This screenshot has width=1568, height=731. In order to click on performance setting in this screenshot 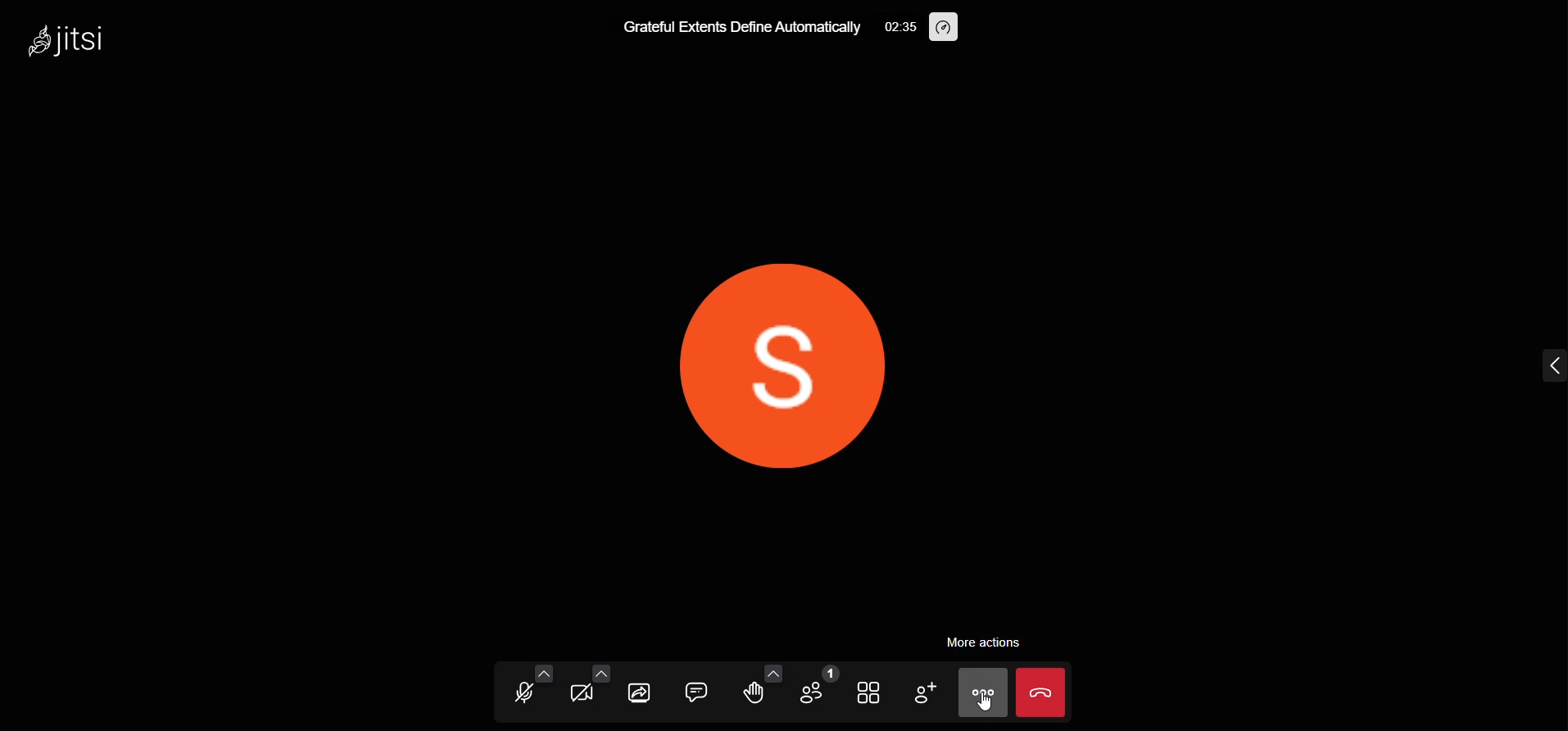, I will do `click(949, 28)`.